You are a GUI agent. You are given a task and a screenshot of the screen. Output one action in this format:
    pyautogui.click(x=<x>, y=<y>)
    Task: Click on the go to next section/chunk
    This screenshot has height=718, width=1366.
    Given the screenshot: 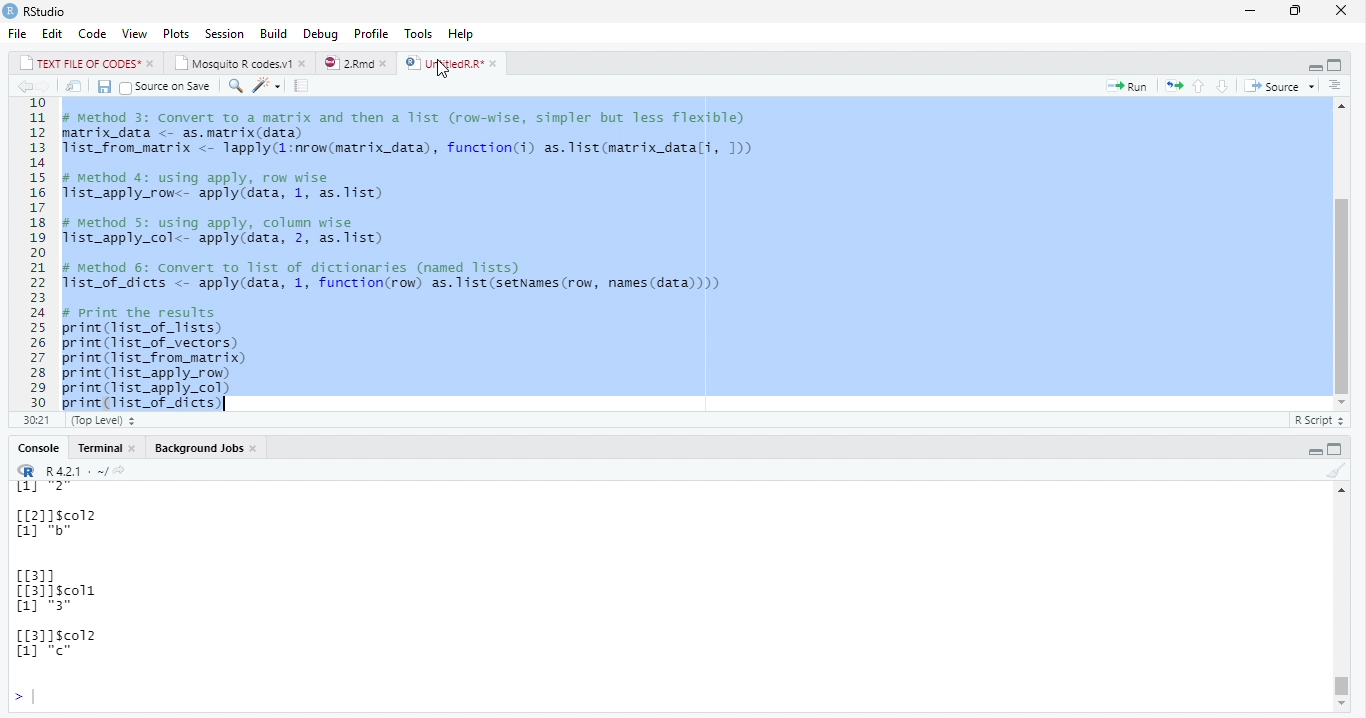 What is the action you would take?
    pyautogui.click(x=1222, y=86)
    